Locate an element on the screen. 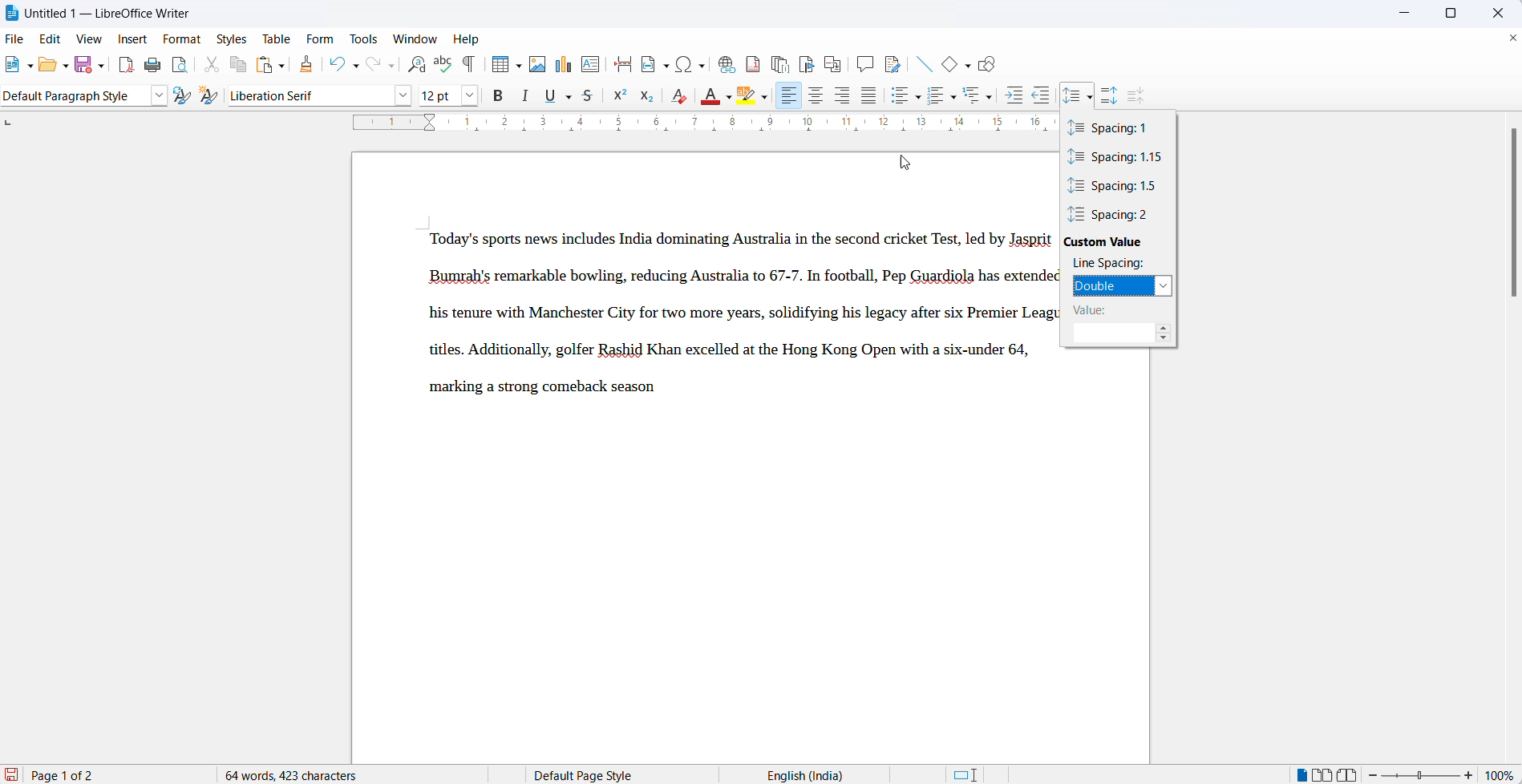 The height and width of the screenshot is (784, 1522). set spacing options dropdown button is located at coordinates (1091, 99).